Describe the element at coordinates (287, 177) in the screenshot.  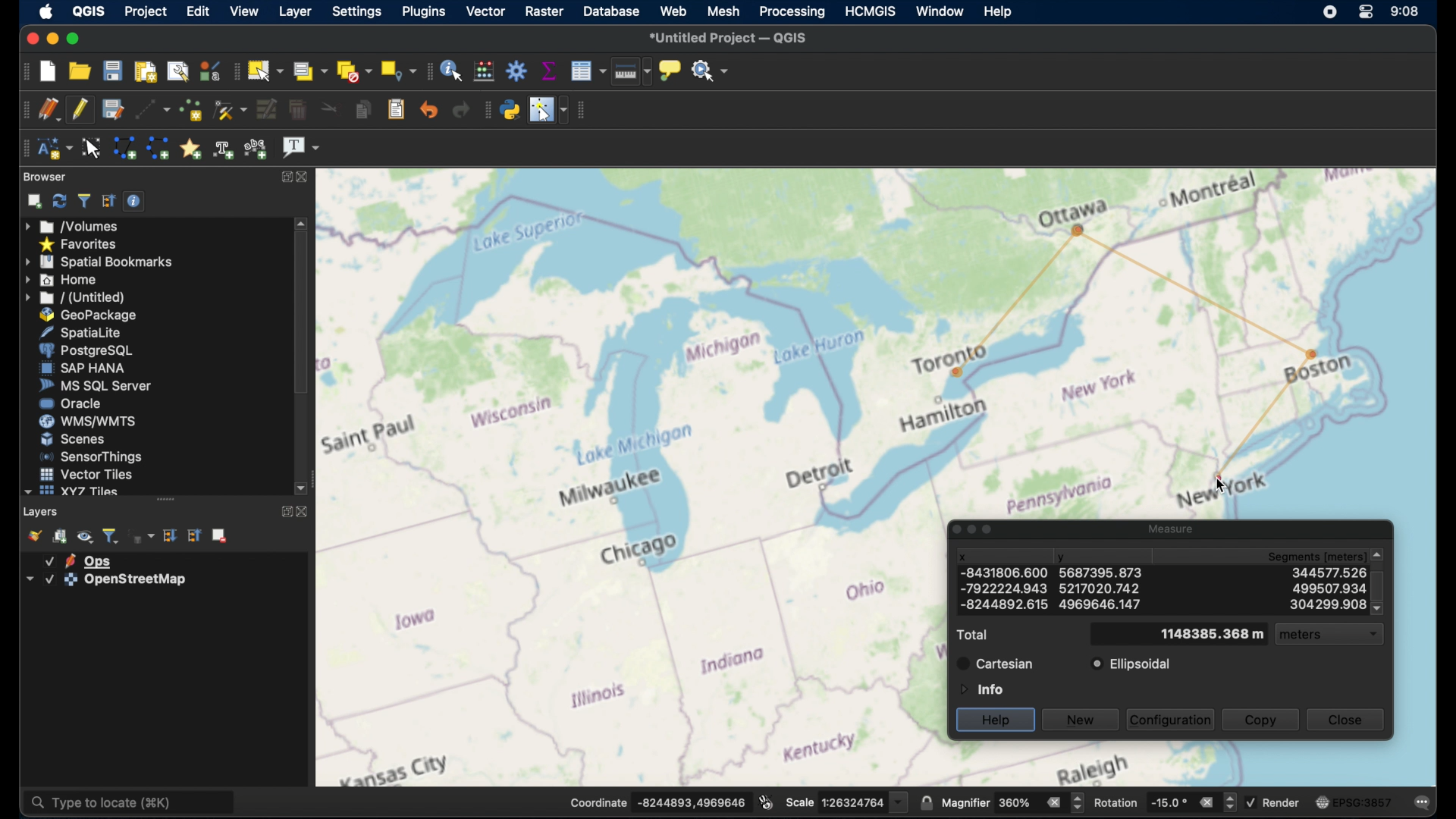
I see `maximize` at that location.